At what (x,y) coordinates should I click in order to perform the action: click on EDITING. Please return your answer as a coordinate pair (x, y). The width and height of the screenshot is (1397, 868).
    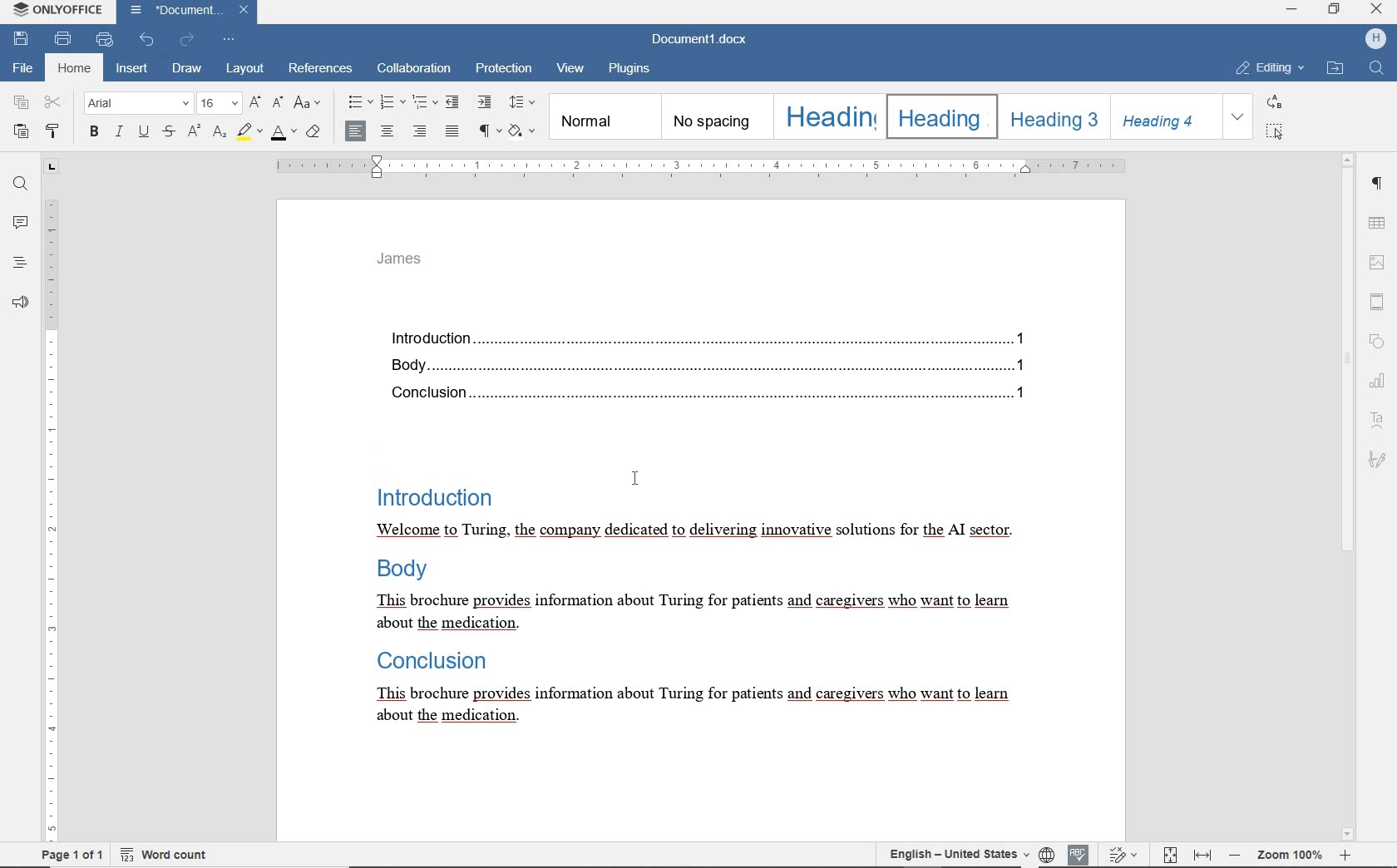
    Looking at the image, I should click on (1271, 69).